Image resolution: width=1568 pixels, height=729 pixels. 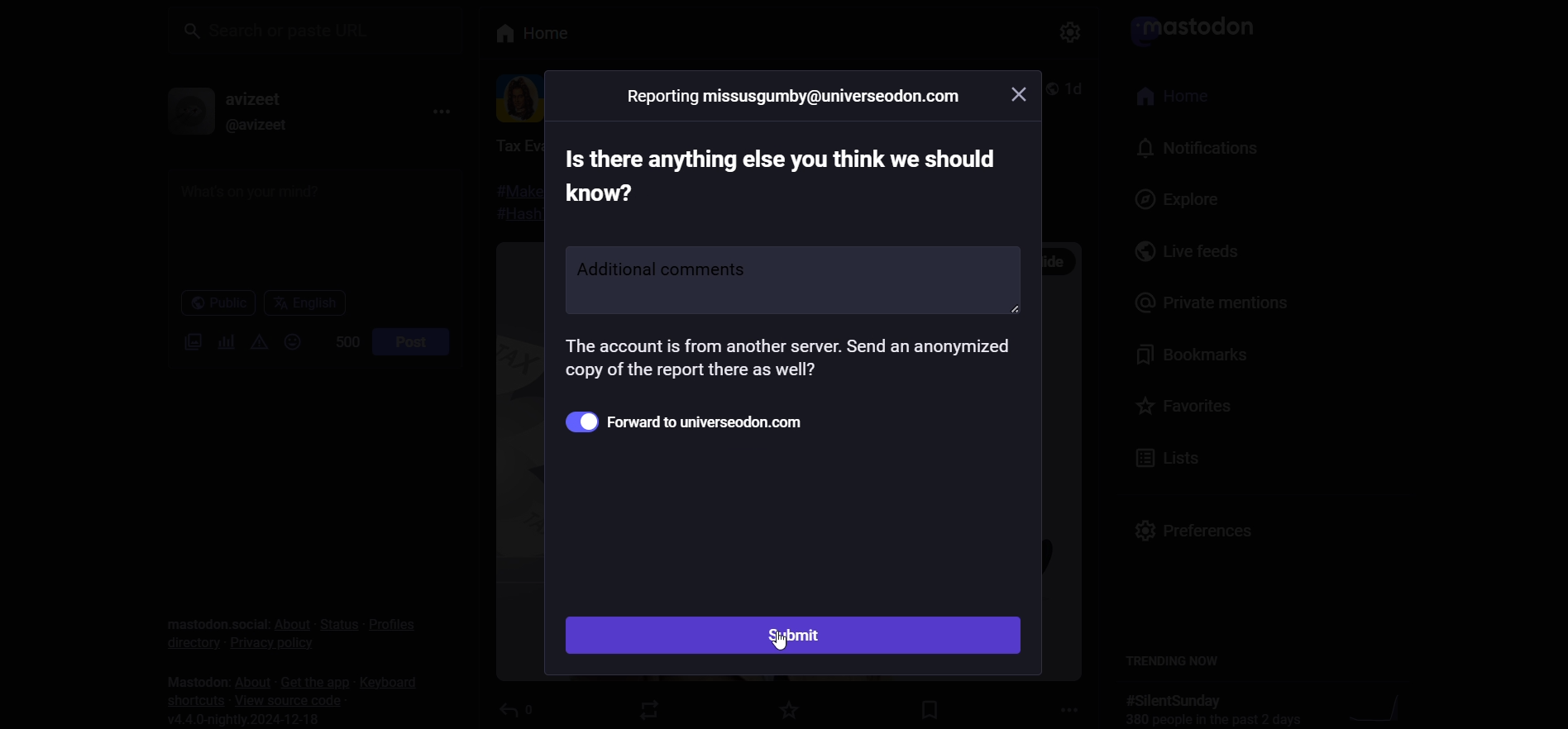 What do you see at coordinates (1022, 92) in the screenshot?
I see `close` at bounding box center [1022, 92].